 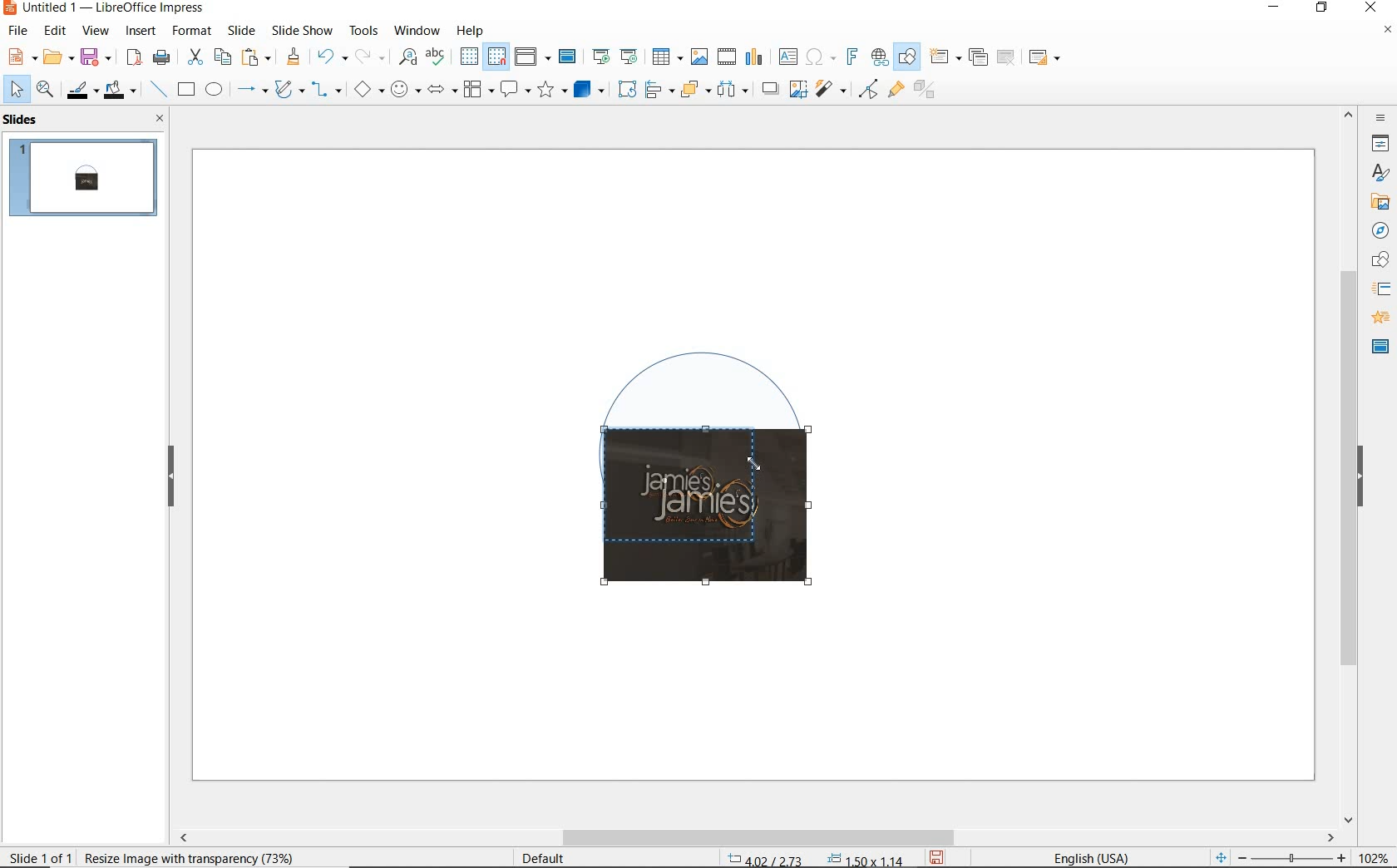 What do you see at coordinates (141, 32) in the screenshot?
I see `insert` at bounding box center [141, 32].